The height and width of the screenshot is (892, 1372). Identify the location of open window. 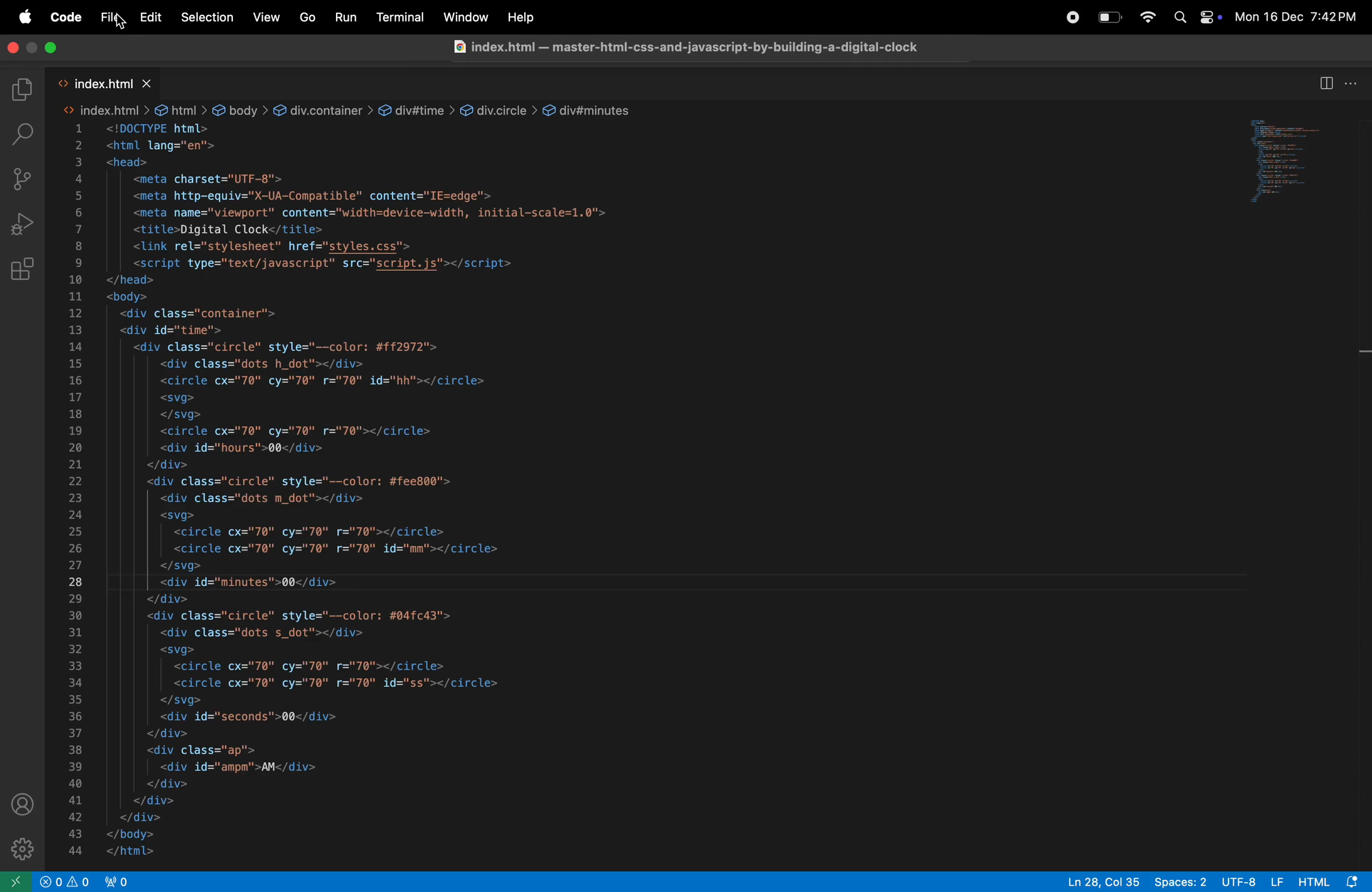
(17, 882).